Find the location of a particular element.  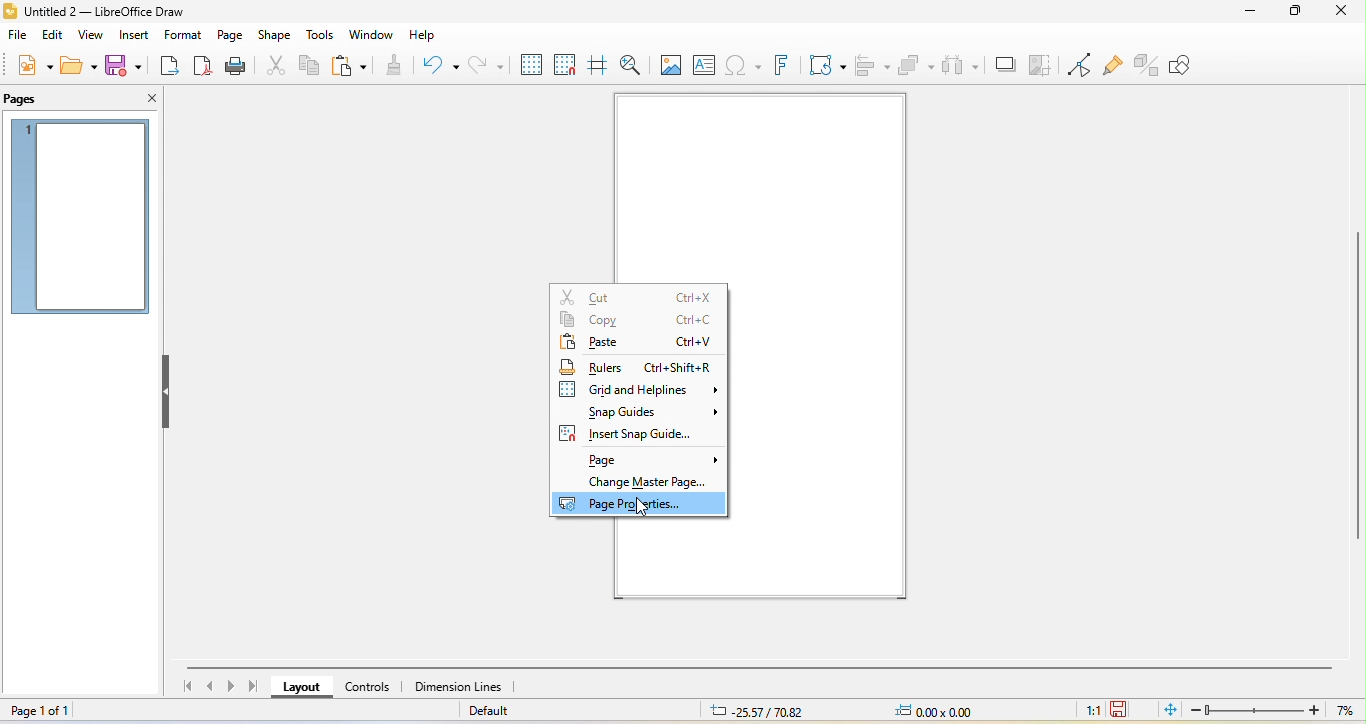

image is located at coordinates (670, 64).